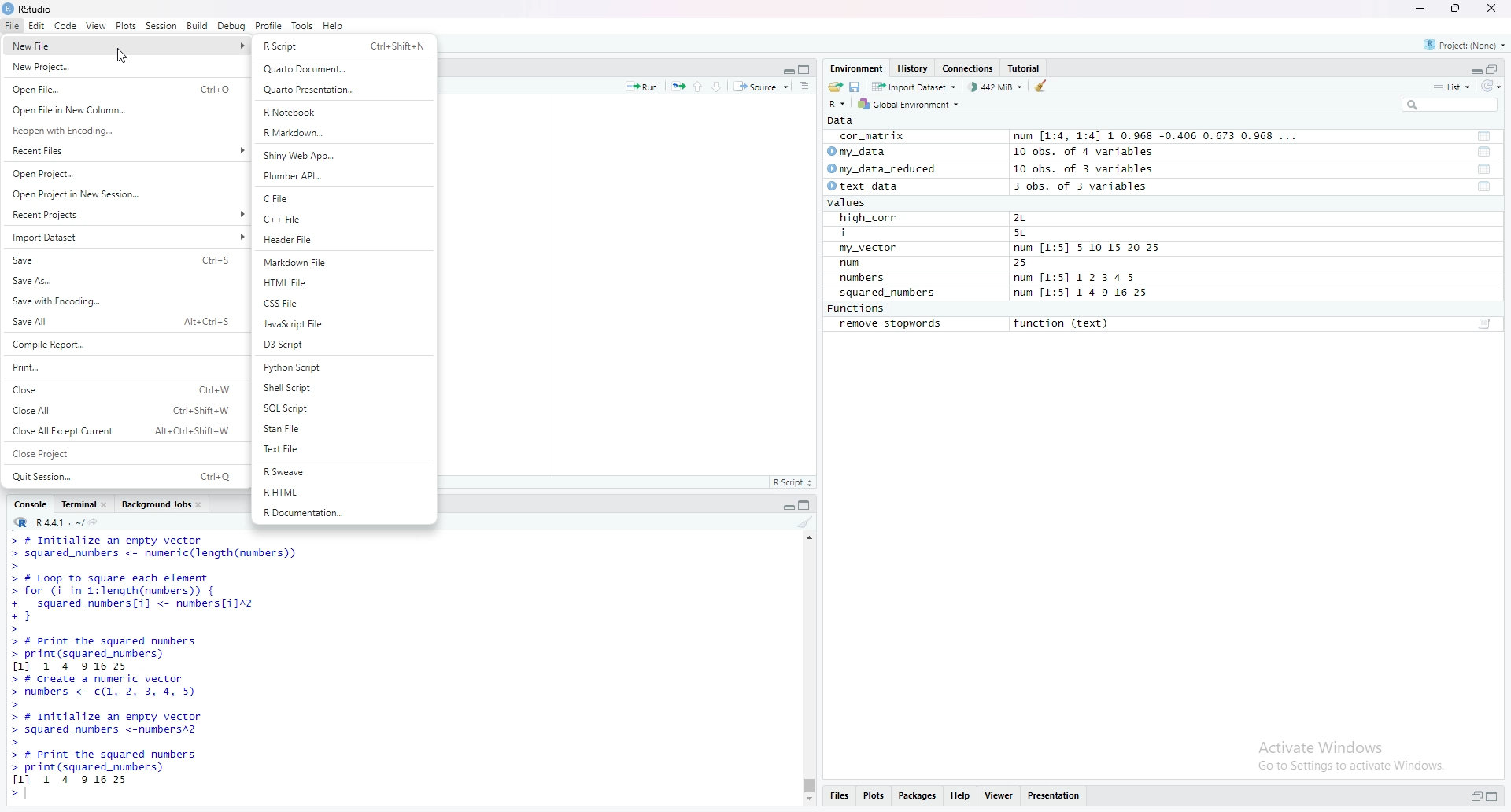 This screenshot has width=1511, height=812. I want to click on Source, so click(763, 87).